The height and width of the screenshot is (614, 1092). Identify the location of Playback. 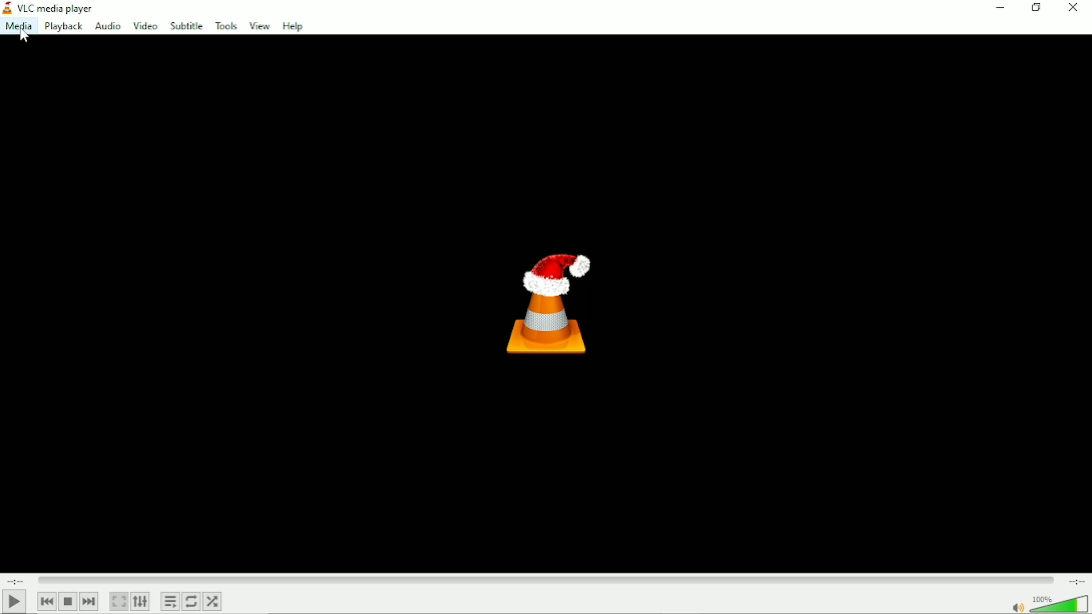
(63, 27).